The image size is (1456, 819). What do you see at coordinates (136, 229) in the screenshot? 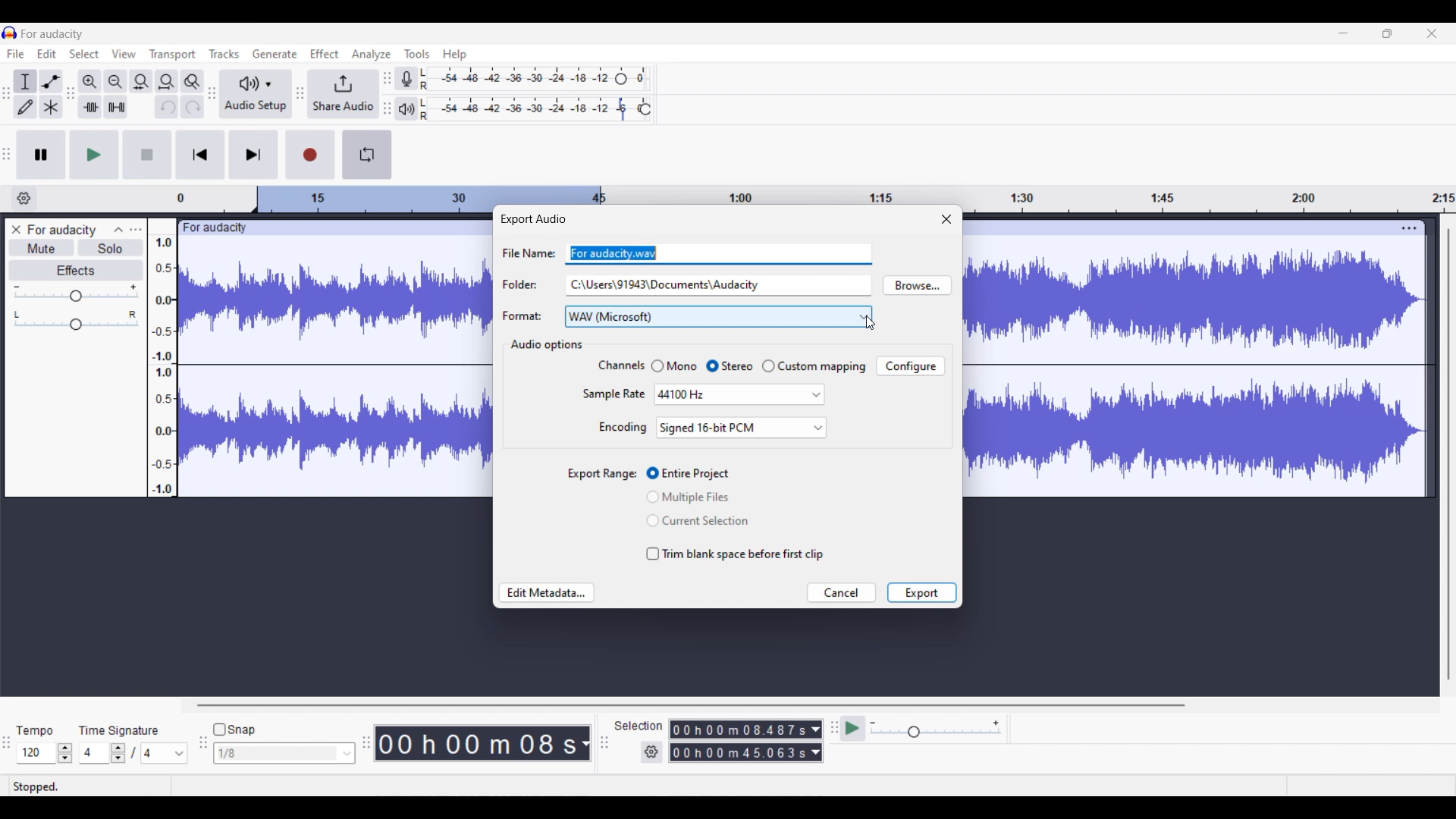
I see `Open menu` at bounding box center [136, 229].